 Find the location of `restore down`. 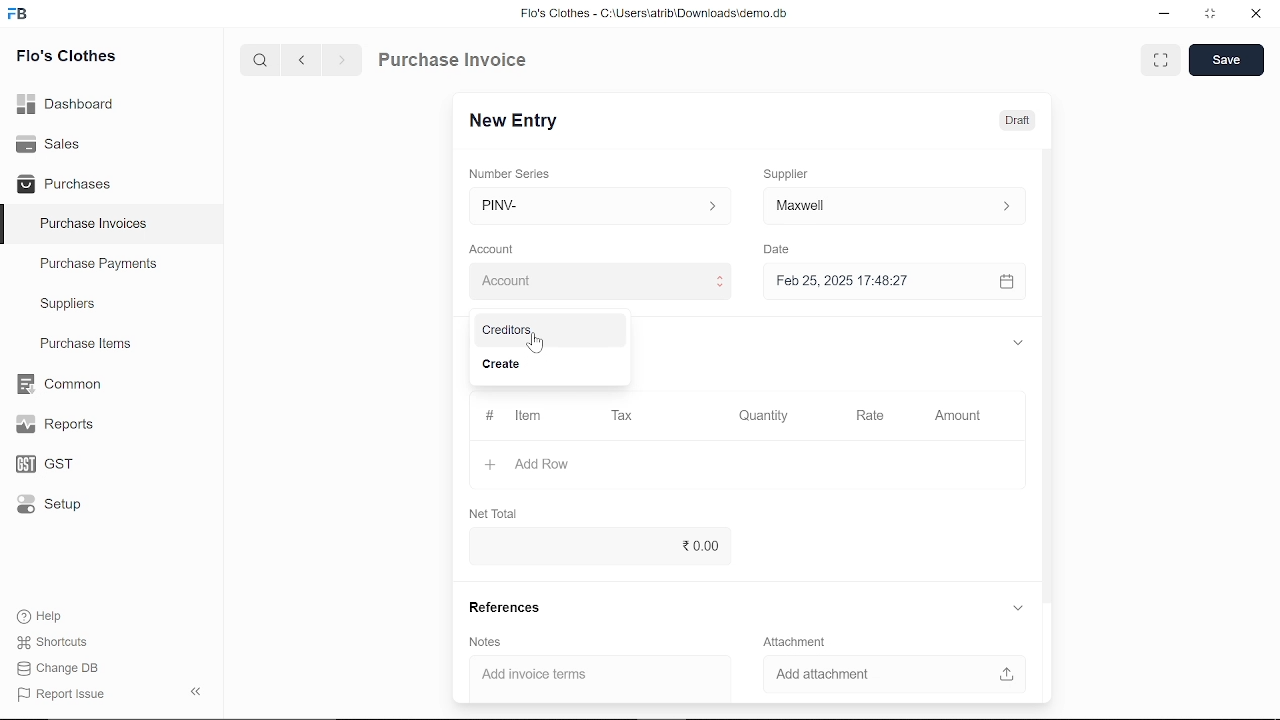

restore down is located at coordinates (1214, 15).